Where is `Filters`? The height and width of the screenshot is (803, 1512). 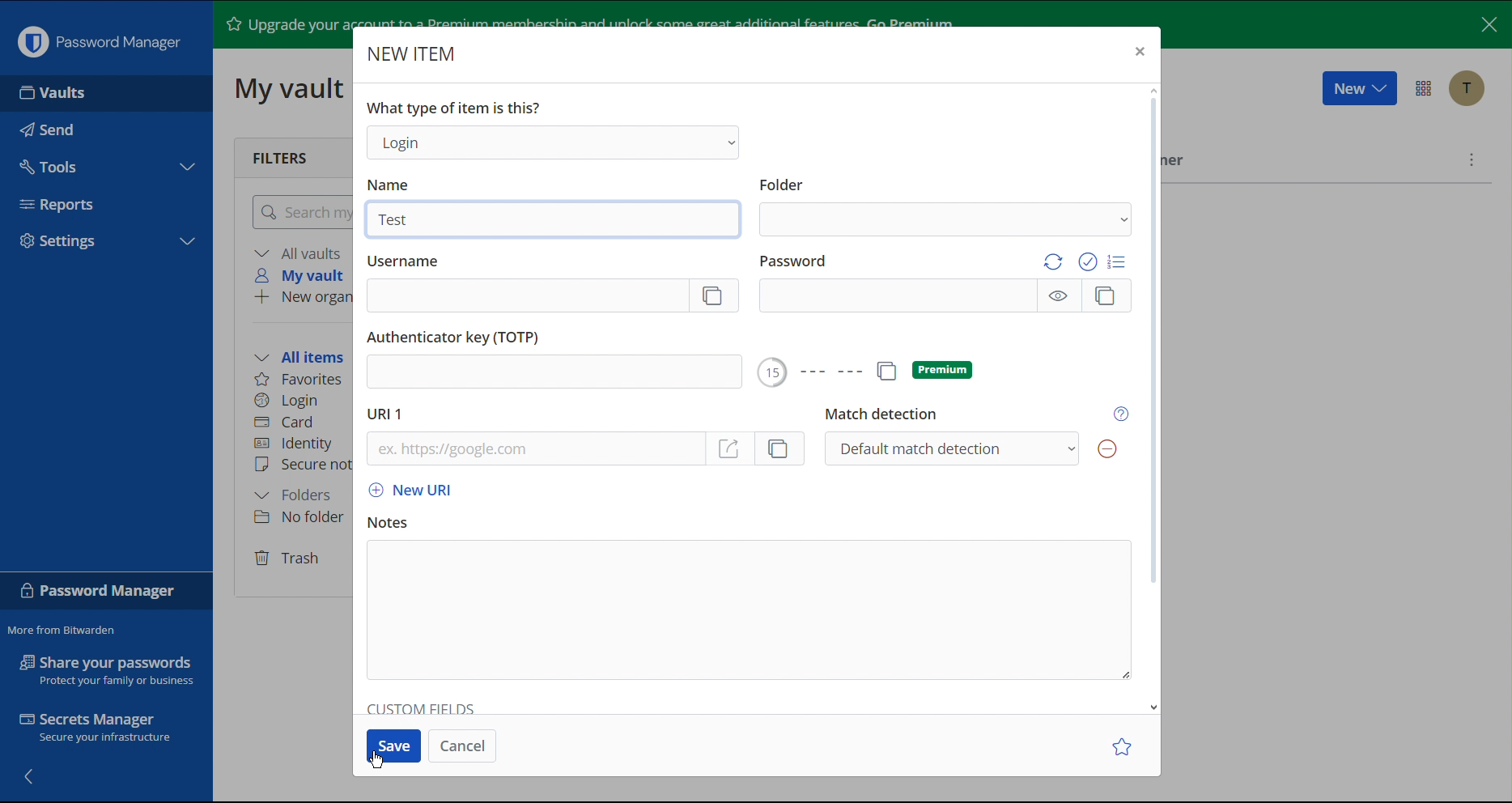 Filters is located at coordinates (284, 156).